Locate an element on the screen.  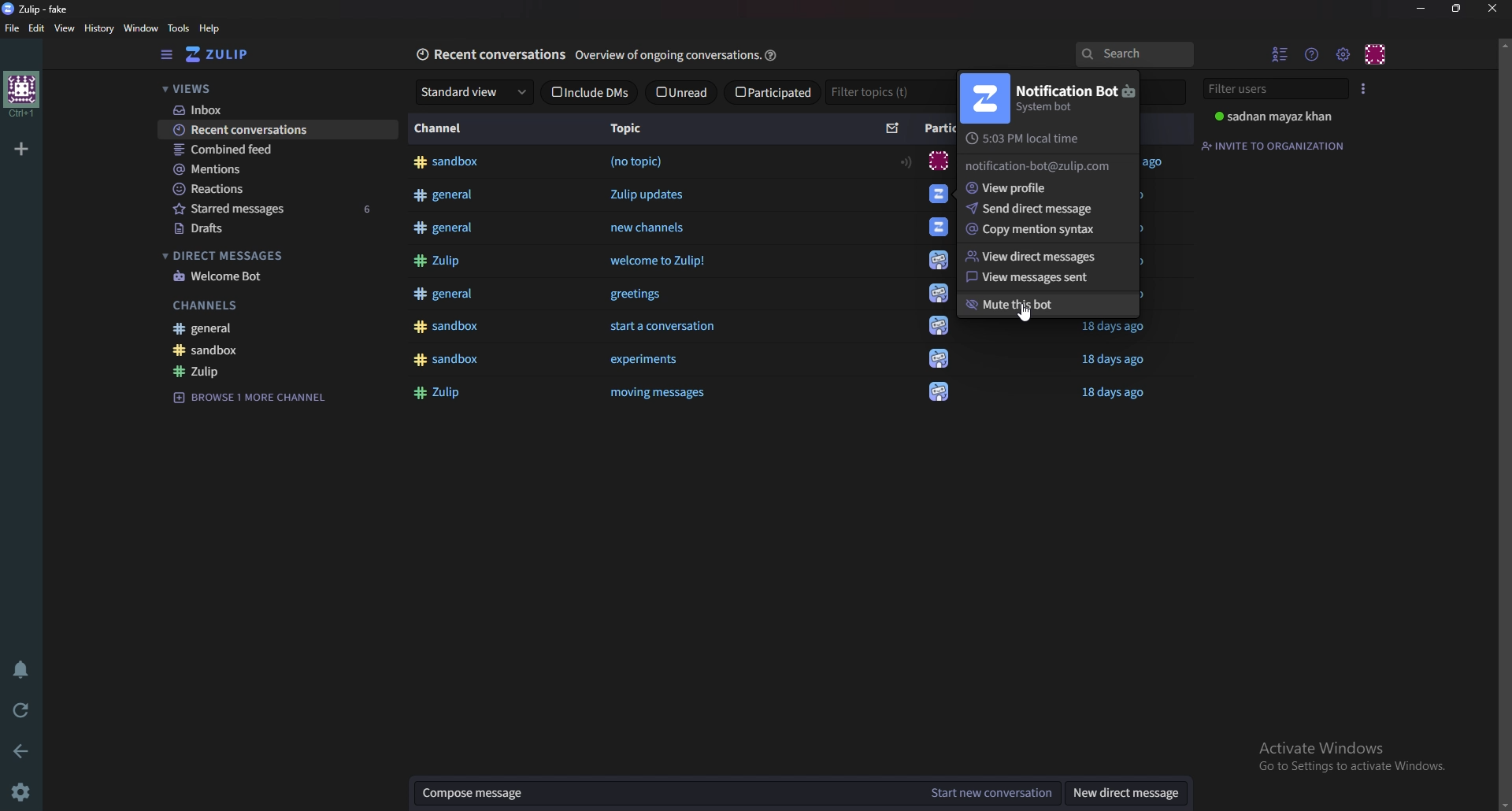
Filter users is located at coordinates (1272, 89).